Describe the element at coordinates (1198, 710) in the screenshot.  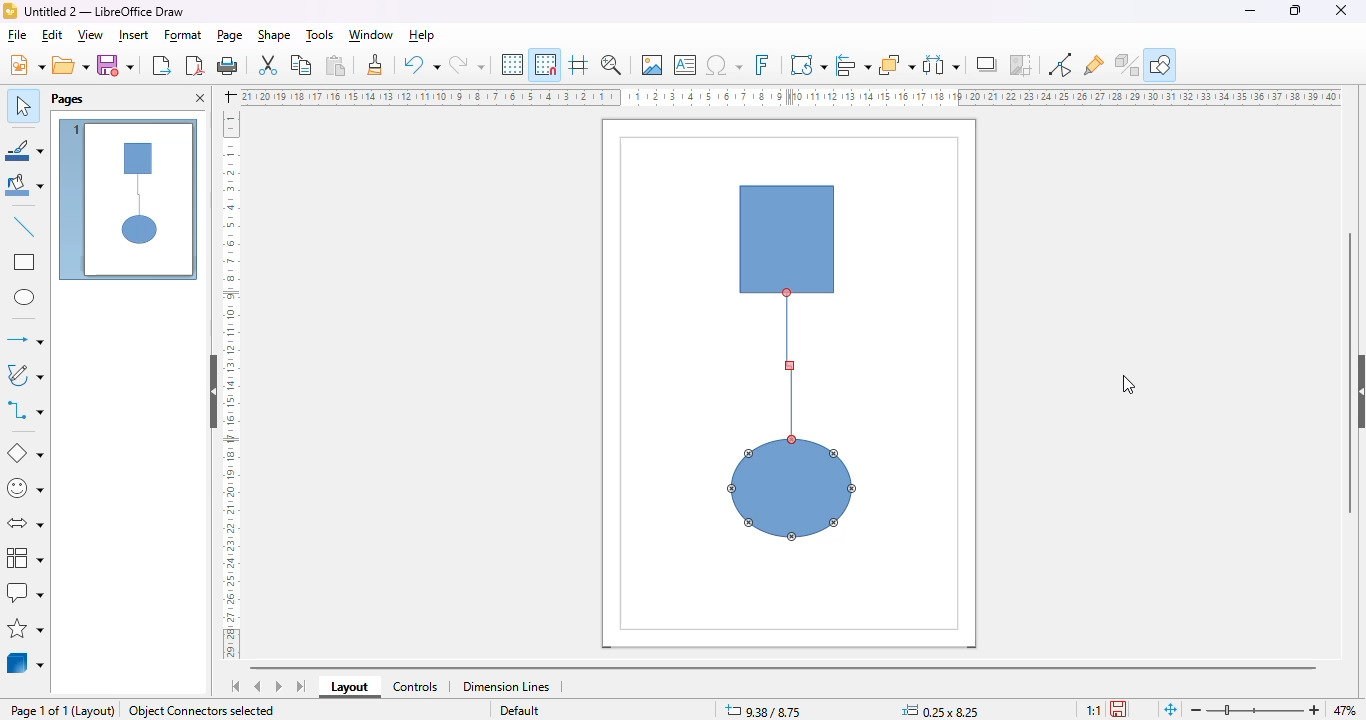
I see `zoom out` at that location.